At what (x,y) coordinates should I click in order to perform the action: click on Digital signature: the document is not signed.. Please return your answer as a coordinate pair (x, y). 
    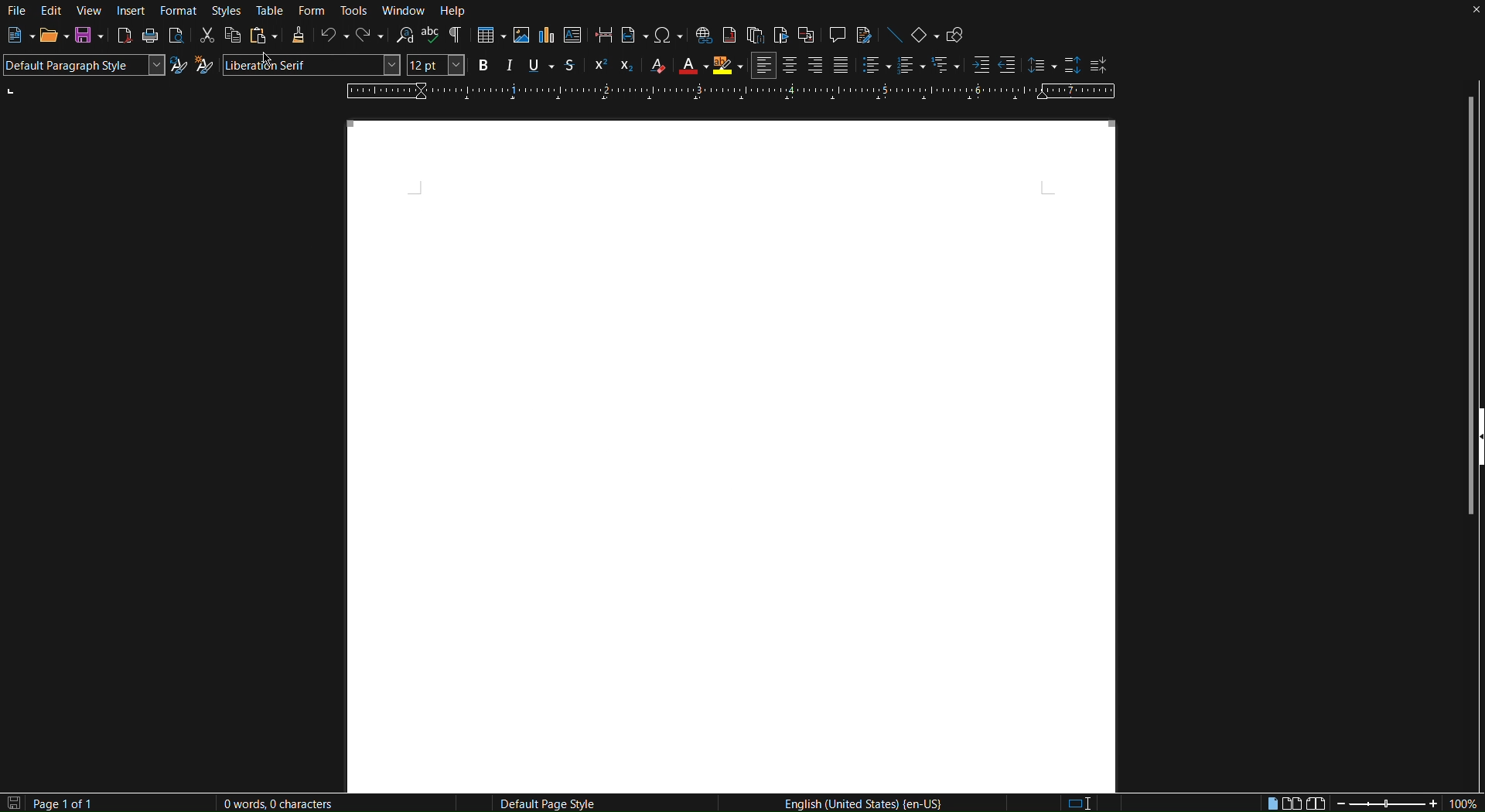
    Looking at the image, I should click on (1138, 803).